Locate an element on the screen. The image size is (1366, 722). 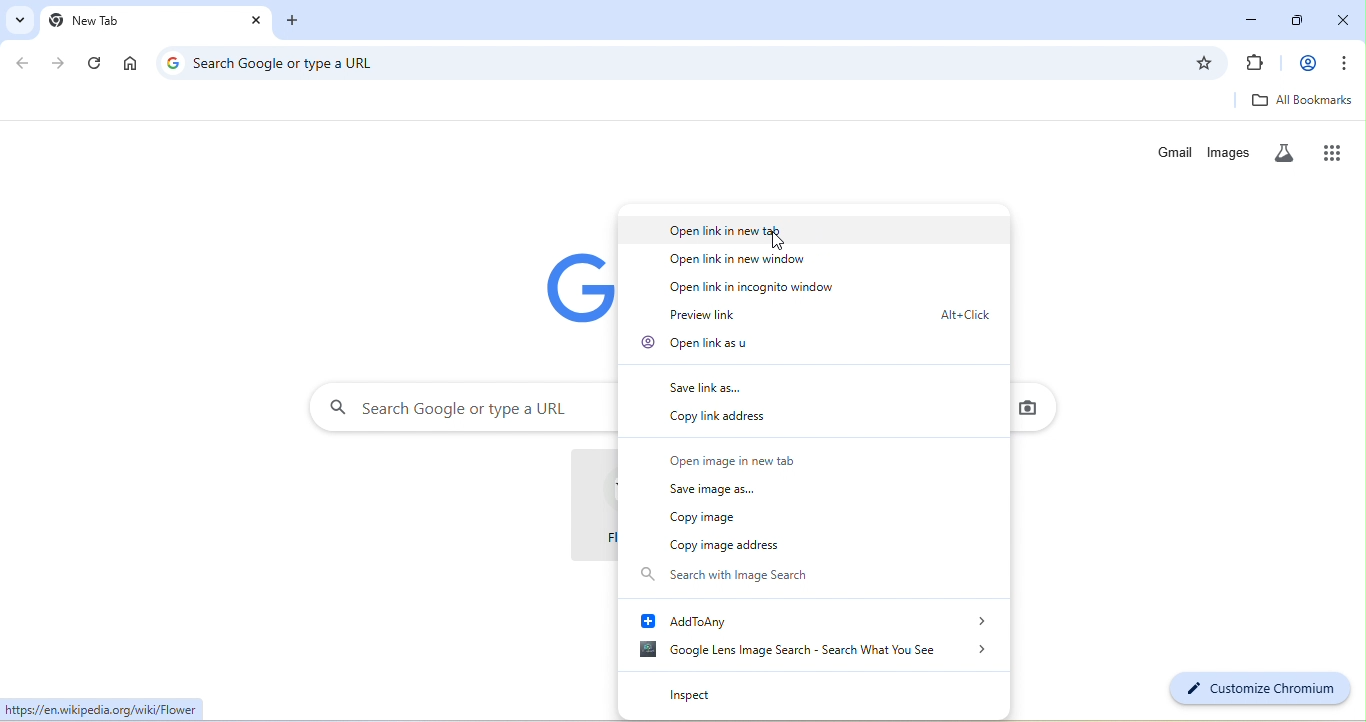
preview link is located at coordinates (820, 314).